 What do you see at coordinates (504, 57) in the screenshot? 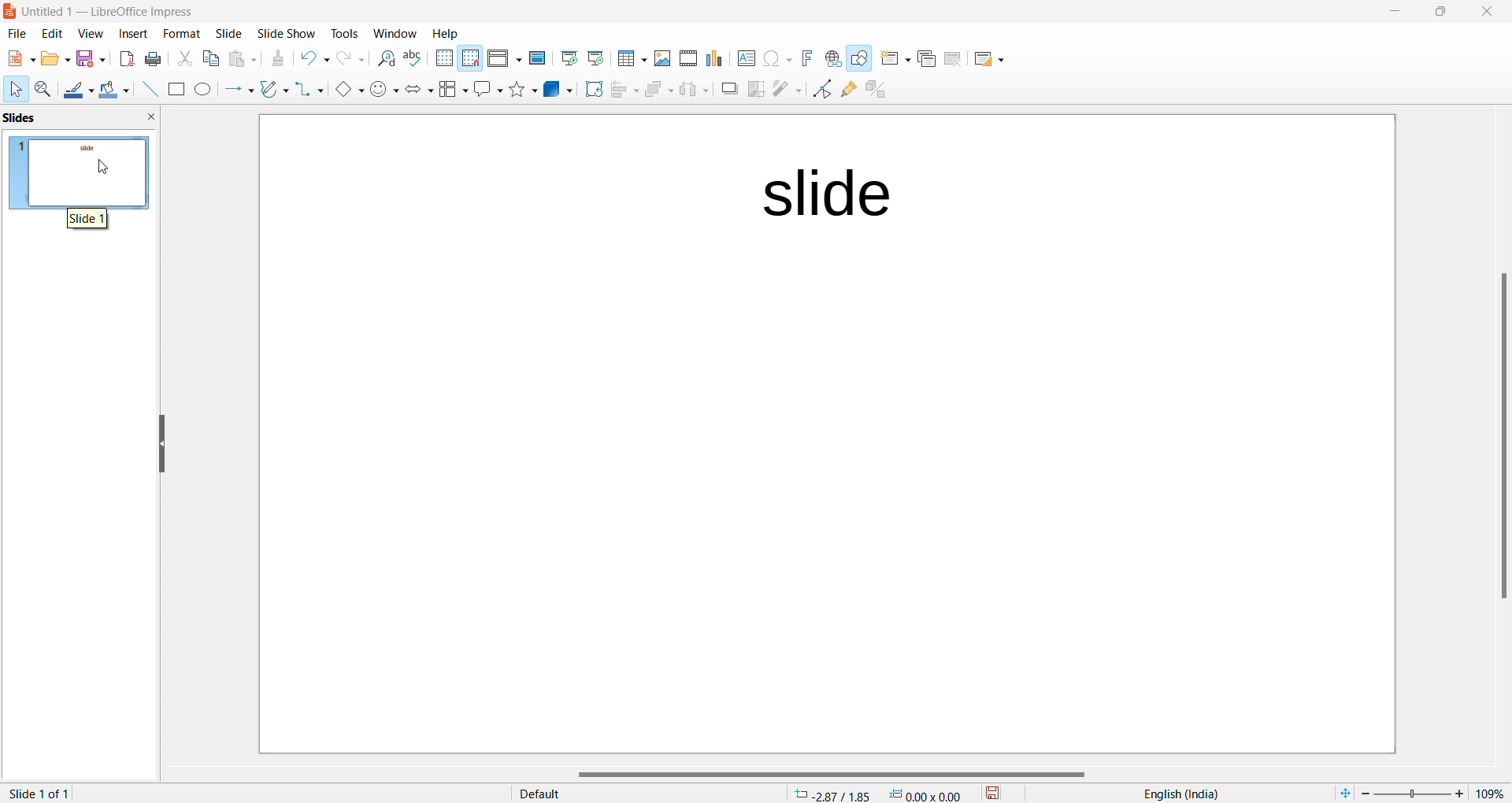
I see `Display views` at bounding box center [504, 57].